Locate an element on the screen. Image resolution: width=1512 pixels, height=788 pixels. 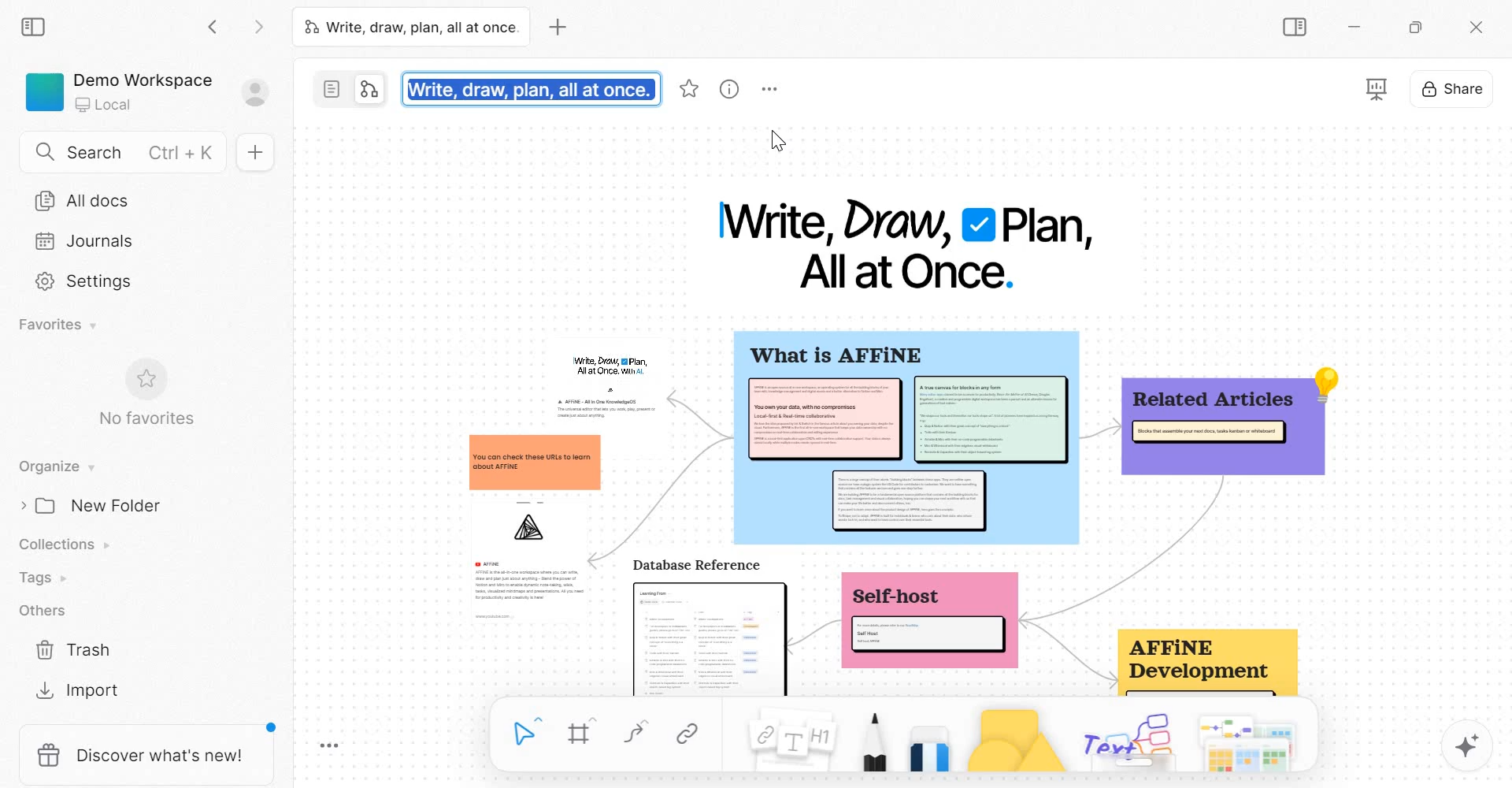
c is located at coordinates (1481, 28).